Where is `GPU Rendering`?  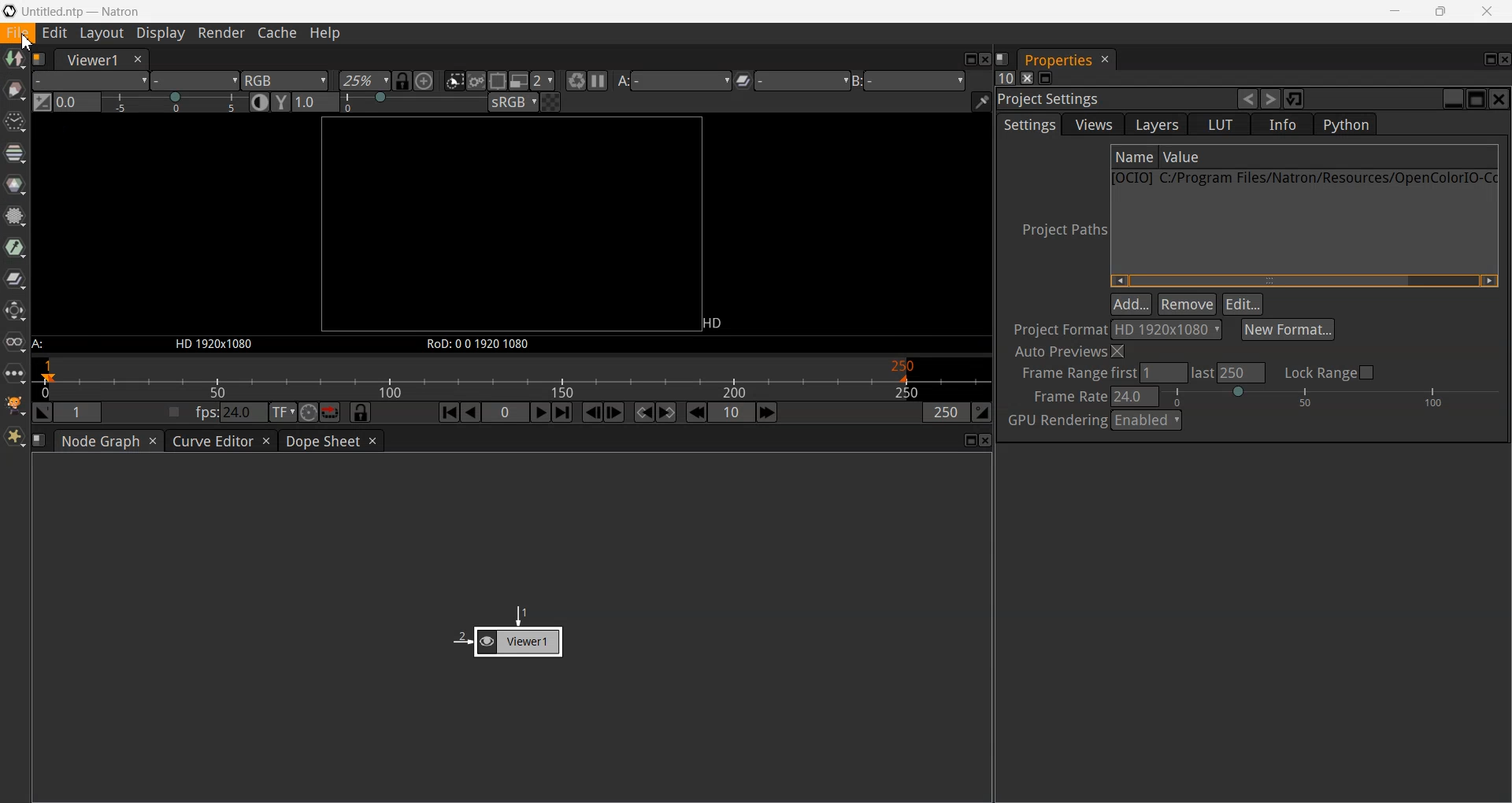 GPU Rendering is located at coordinates (1055, 421).